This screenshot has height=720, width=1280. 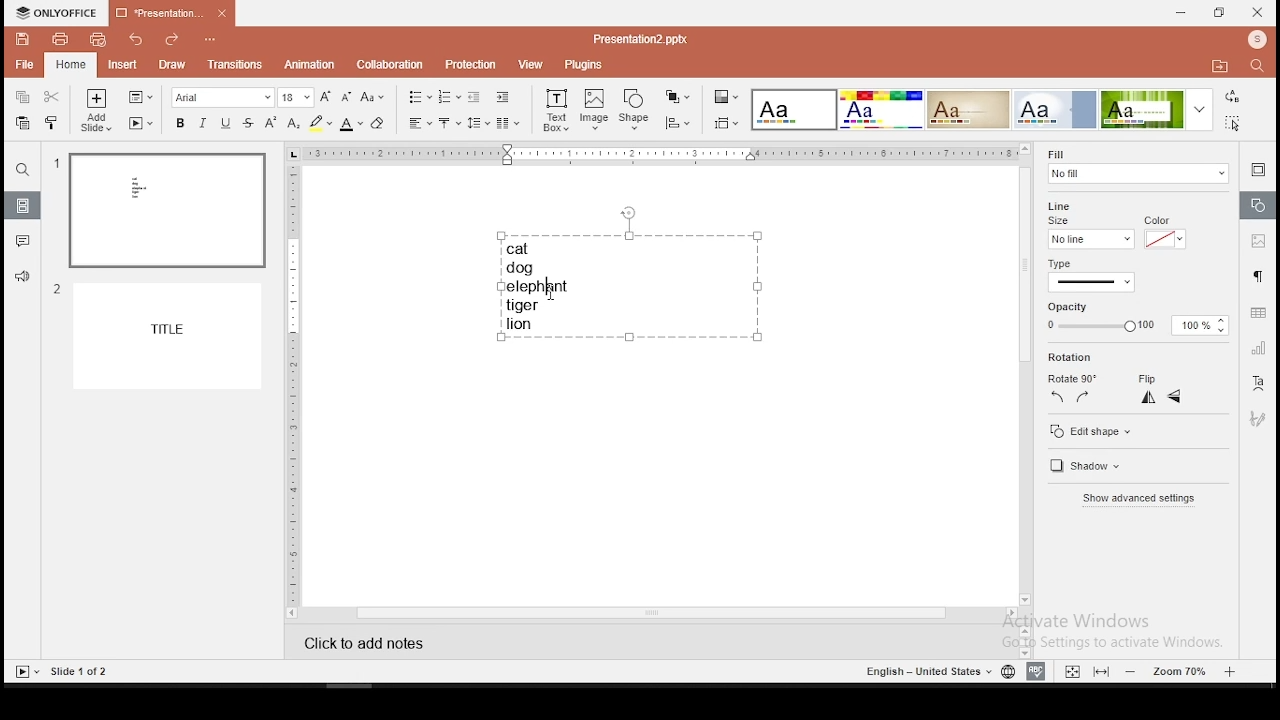 I want to click on opacity, so click(x=1071, y=305).